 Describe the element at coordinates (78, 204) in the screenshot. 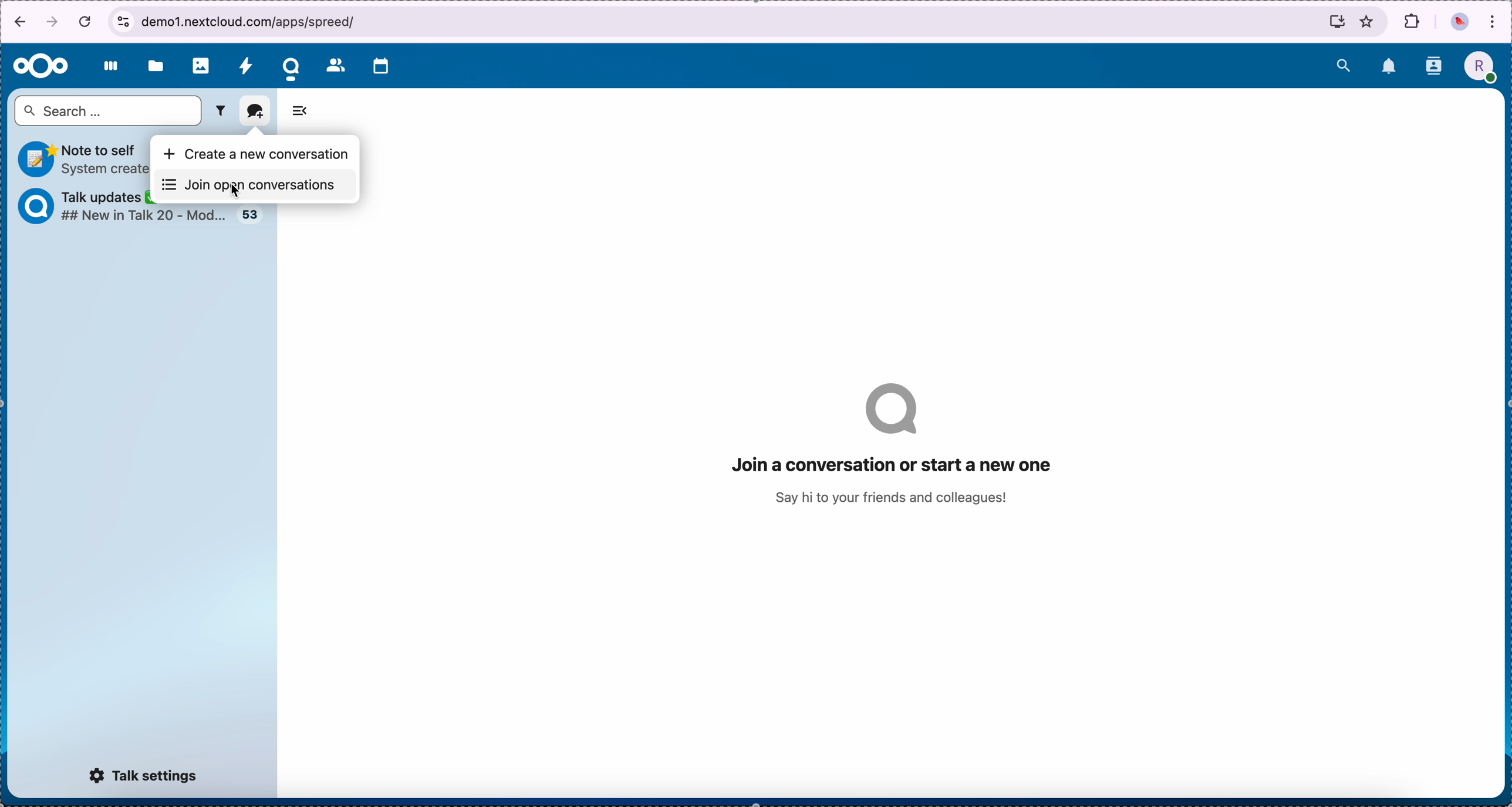

I see `talk updates` at that location.